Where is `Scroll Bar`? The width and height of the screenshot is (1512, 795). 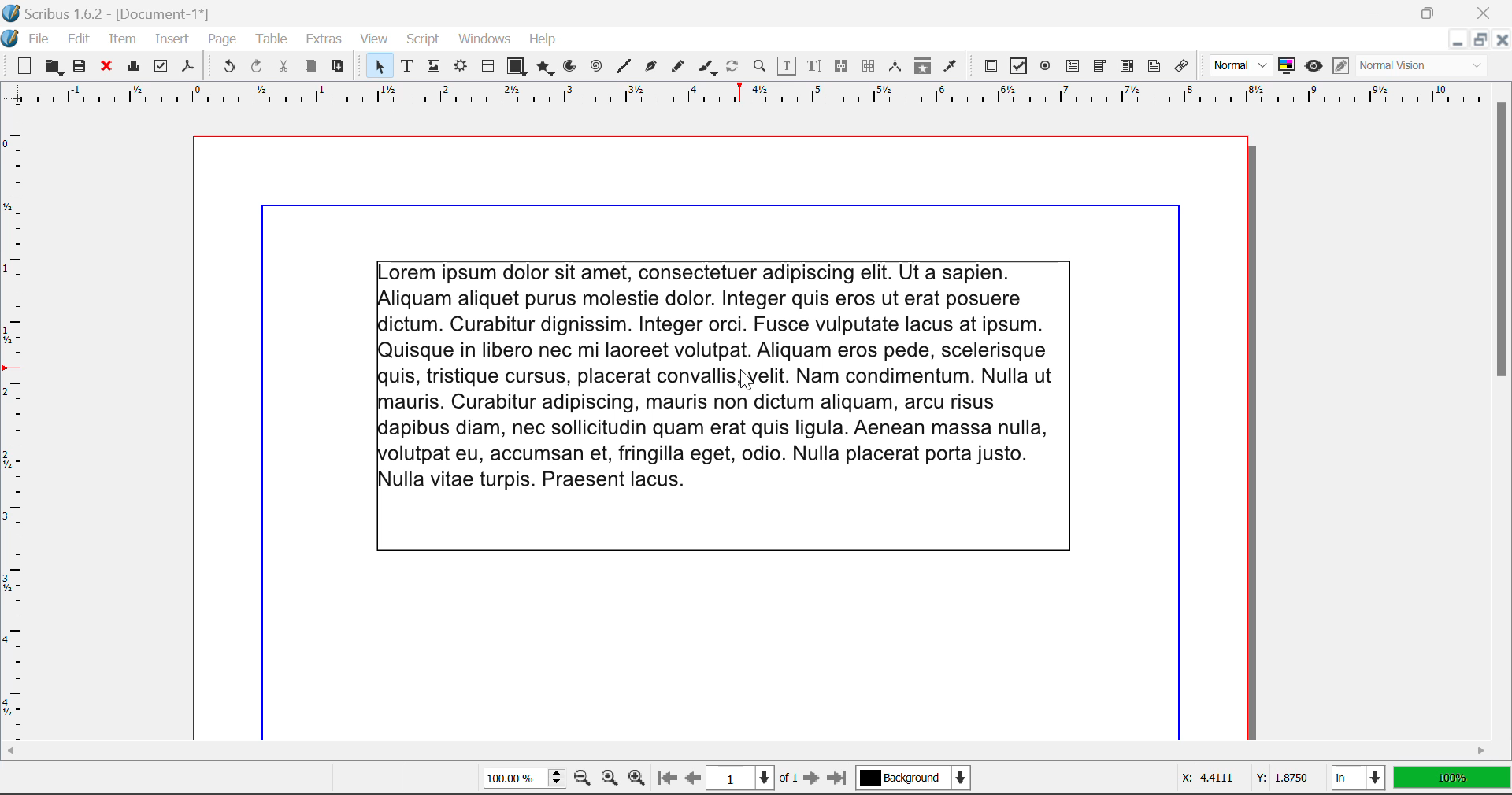 Scroll Bar is located at coordinates (747, 753).